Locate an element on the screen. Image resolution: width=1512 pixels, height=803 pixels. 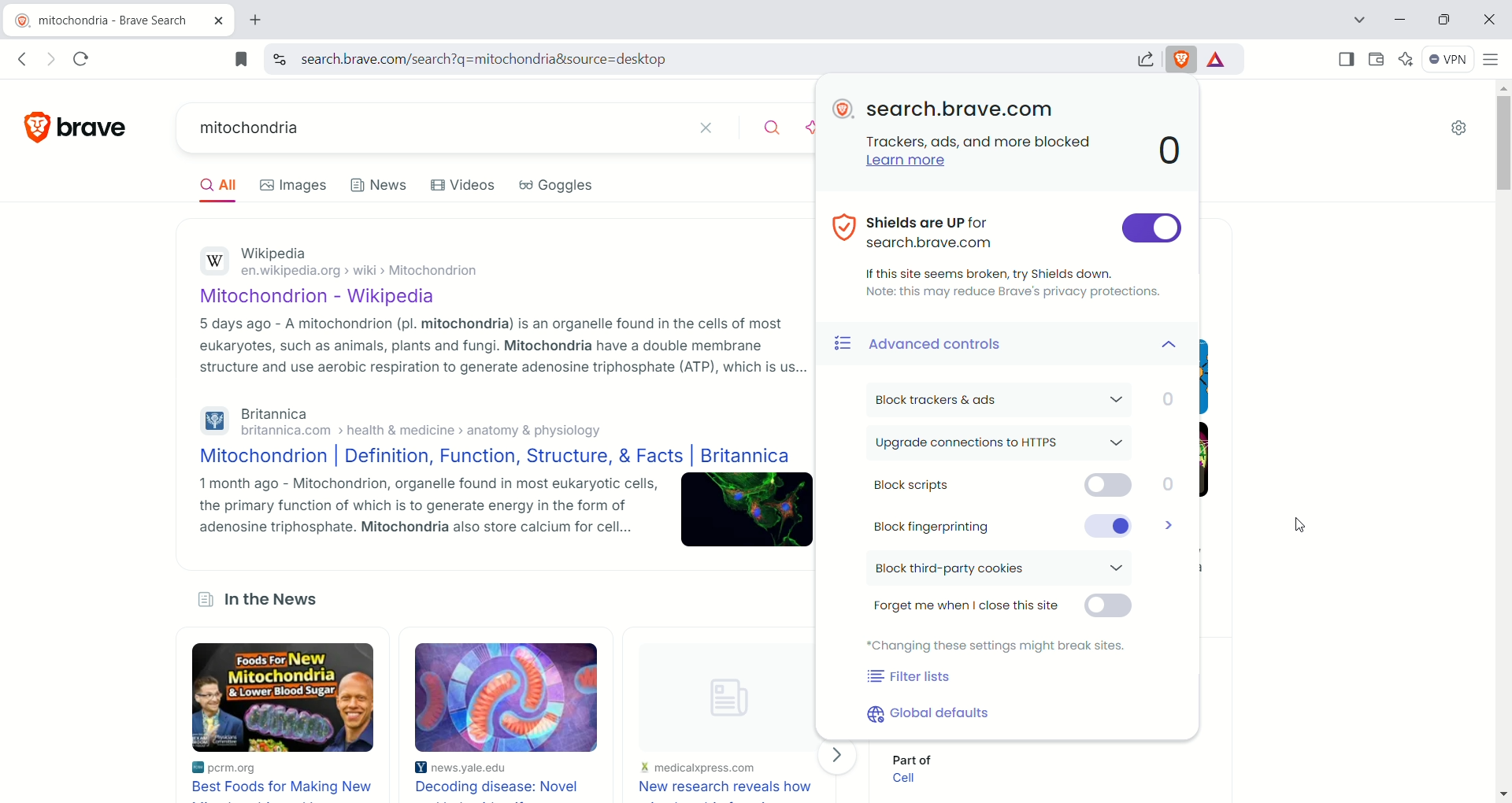
0 is located at coordinates (1172, 151).